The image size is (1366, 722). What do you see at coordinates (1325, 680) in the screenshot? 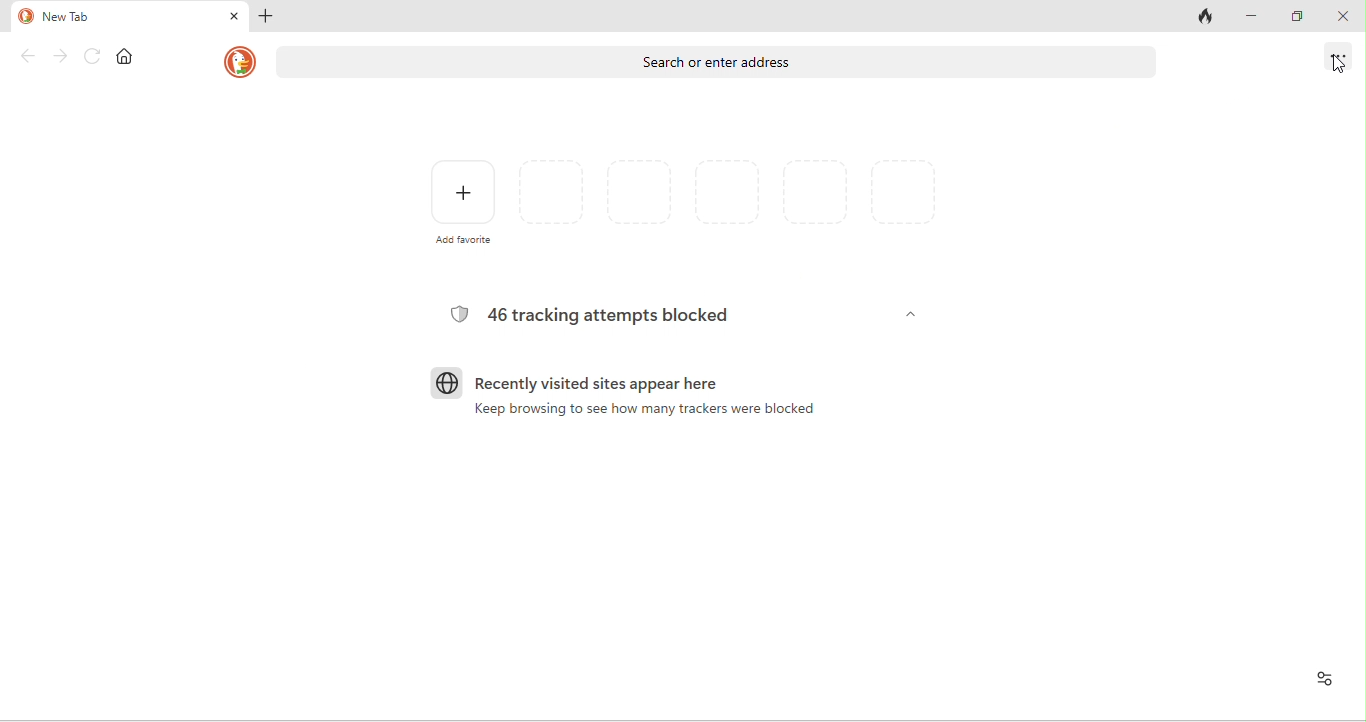
I see `option` at bounding box center [1325, 680].